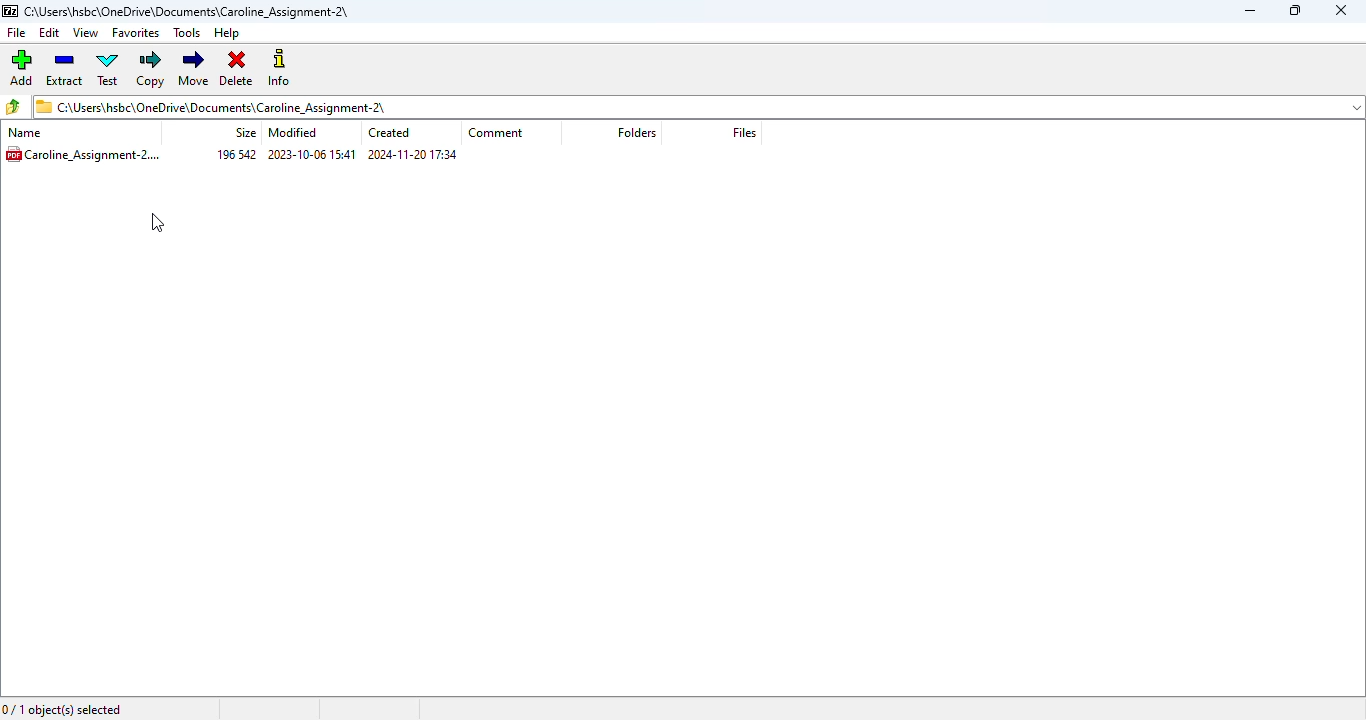 The image size is (1366, 720). I want to click on info, so click(279, 67).